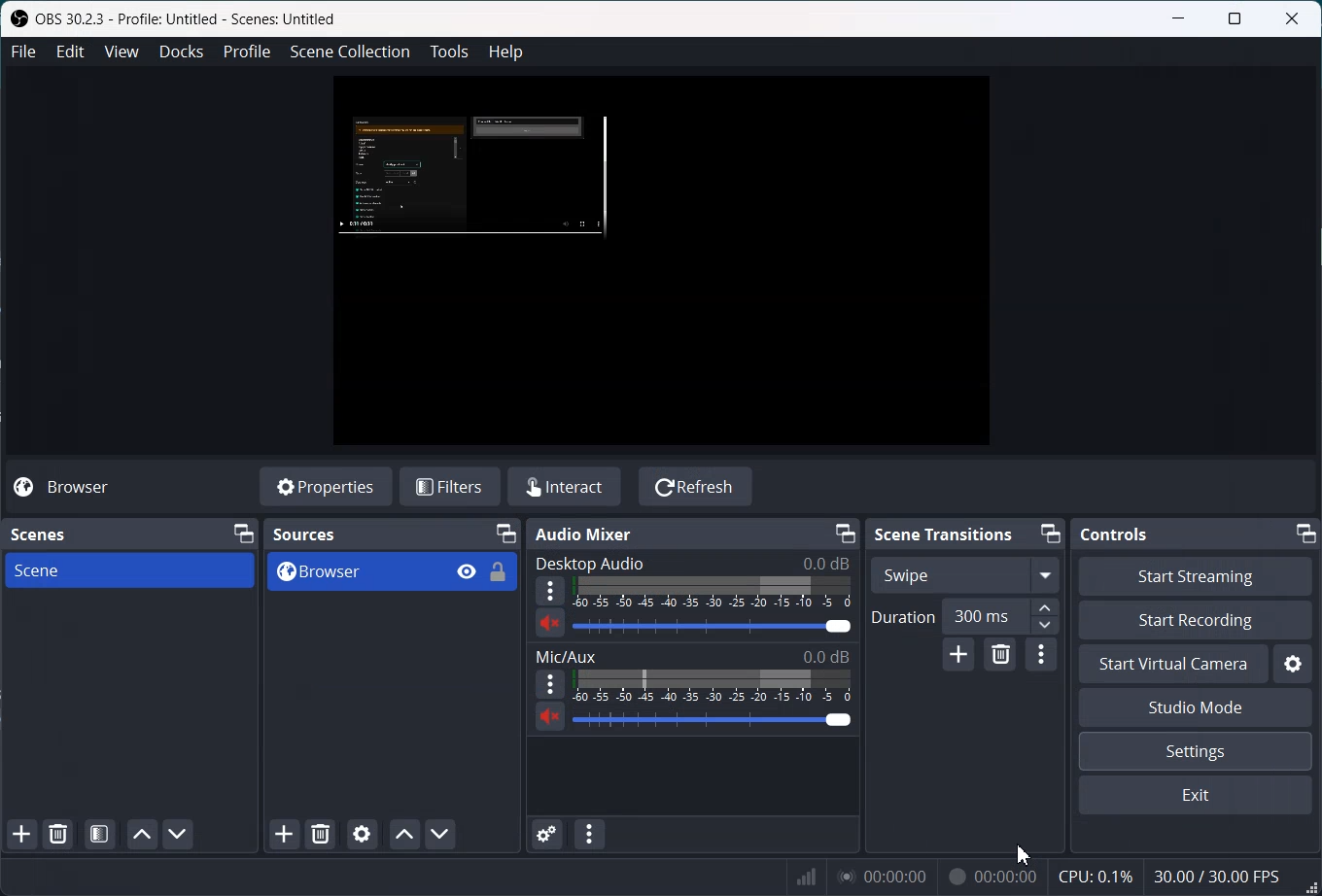  I want to click on Cursor, so click(1026, 854).